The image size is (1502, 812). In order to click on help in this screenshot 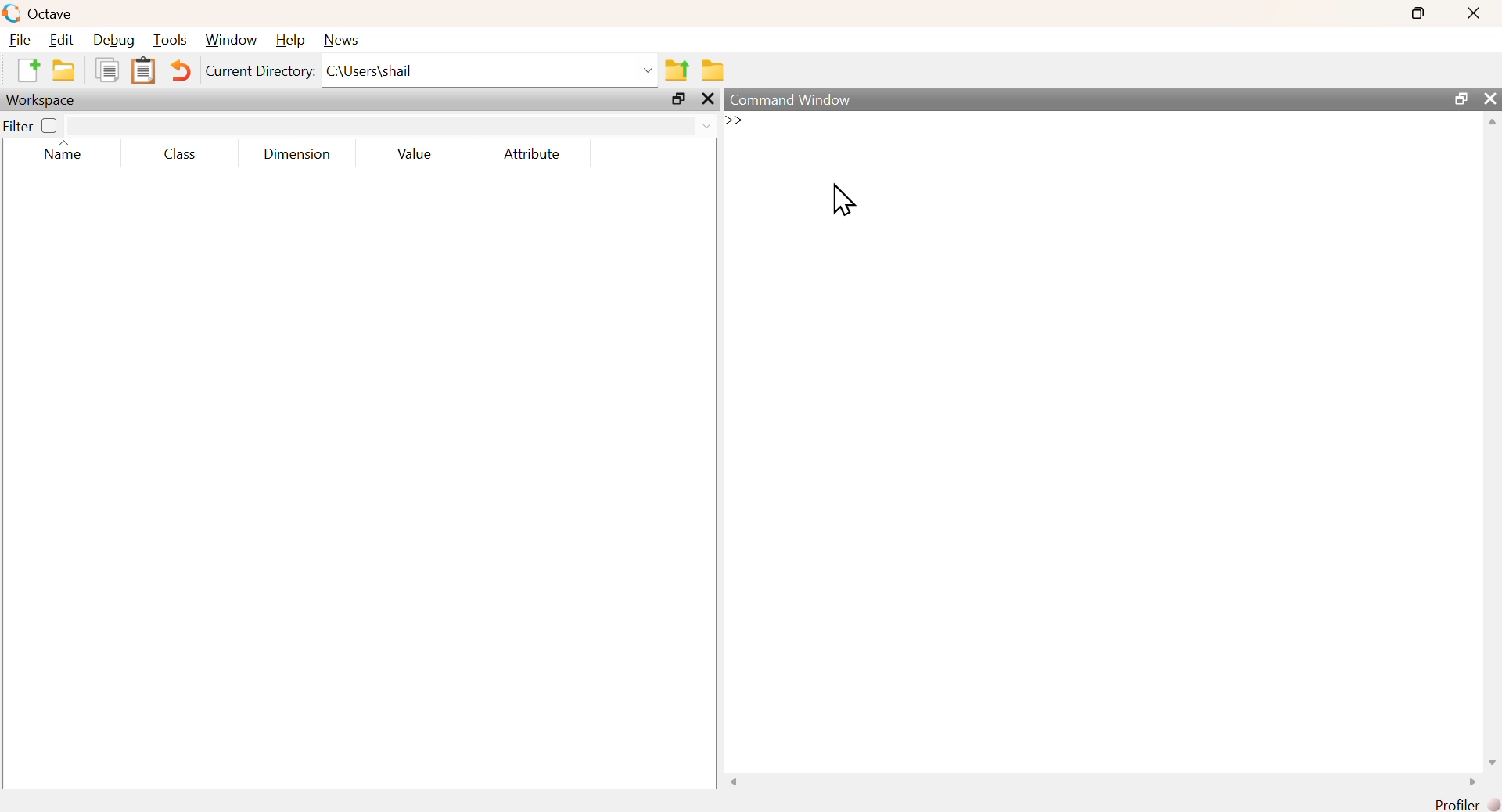, I will do `click(289, 40)`.